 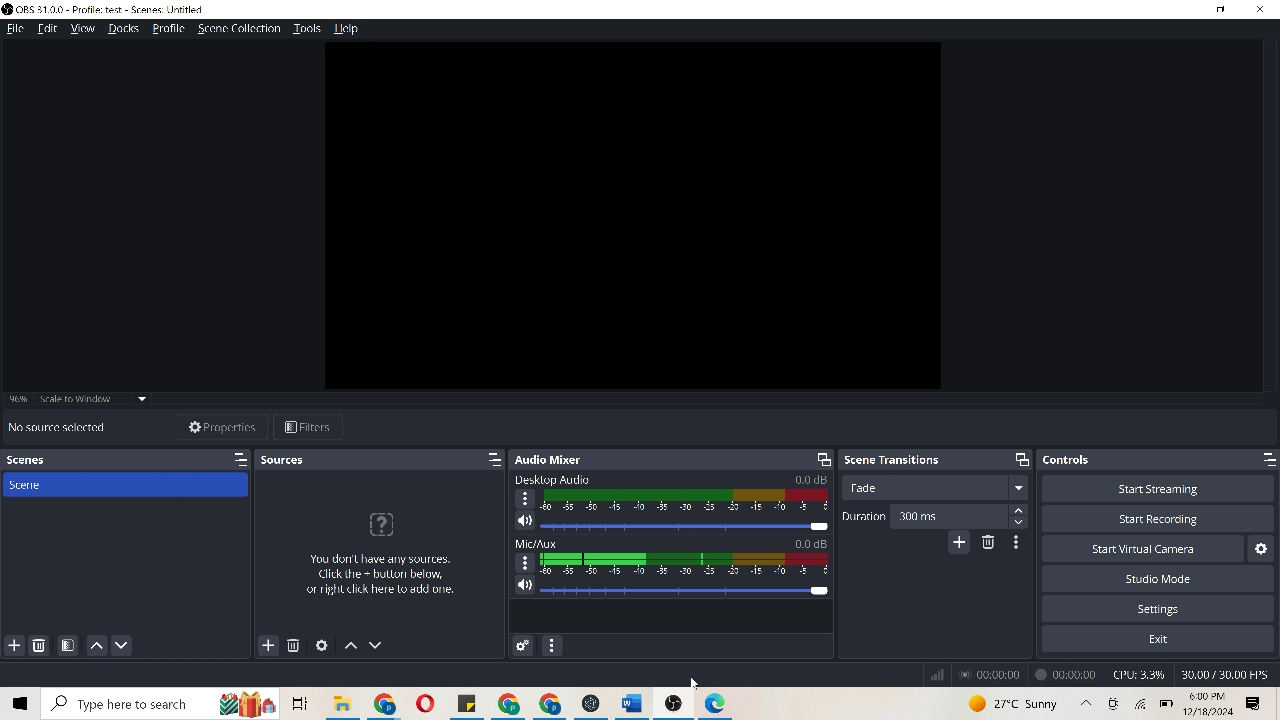 What do you see at coordinates (678, 703) in the screenshot?
I see `icon` at bounding box center [678, 703].